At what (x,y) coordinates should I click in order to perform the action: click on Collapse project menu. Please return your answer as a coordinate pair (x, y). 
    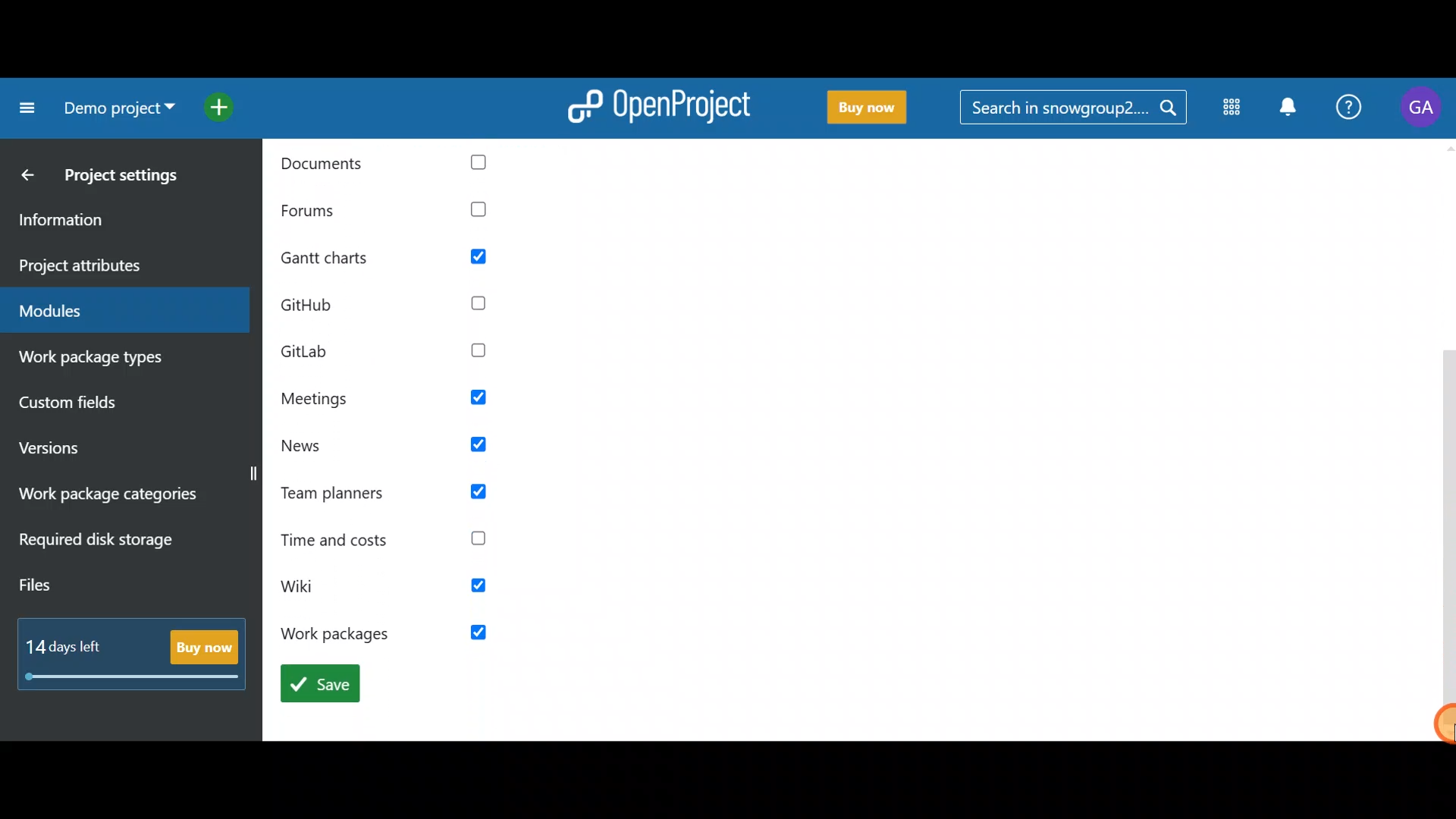
    Looking at the image, I should click on (24, 111).